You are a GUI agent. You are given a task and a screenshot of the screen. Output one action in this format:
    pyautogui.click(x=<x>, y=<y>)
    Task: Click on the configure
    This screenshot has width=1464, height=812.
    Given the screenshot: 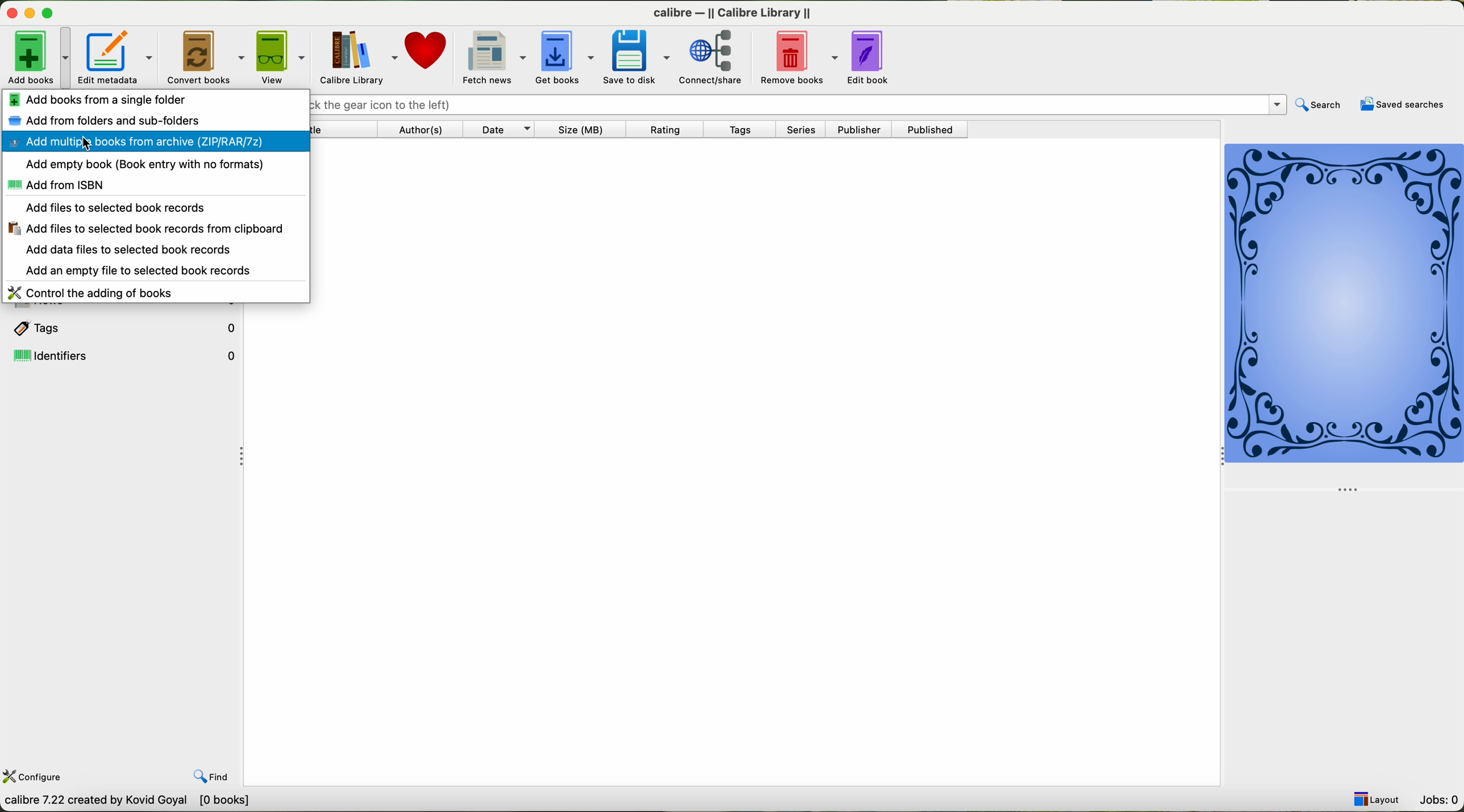 What is the action you would take?
    pyautogui.click(x=34, y=776)
    